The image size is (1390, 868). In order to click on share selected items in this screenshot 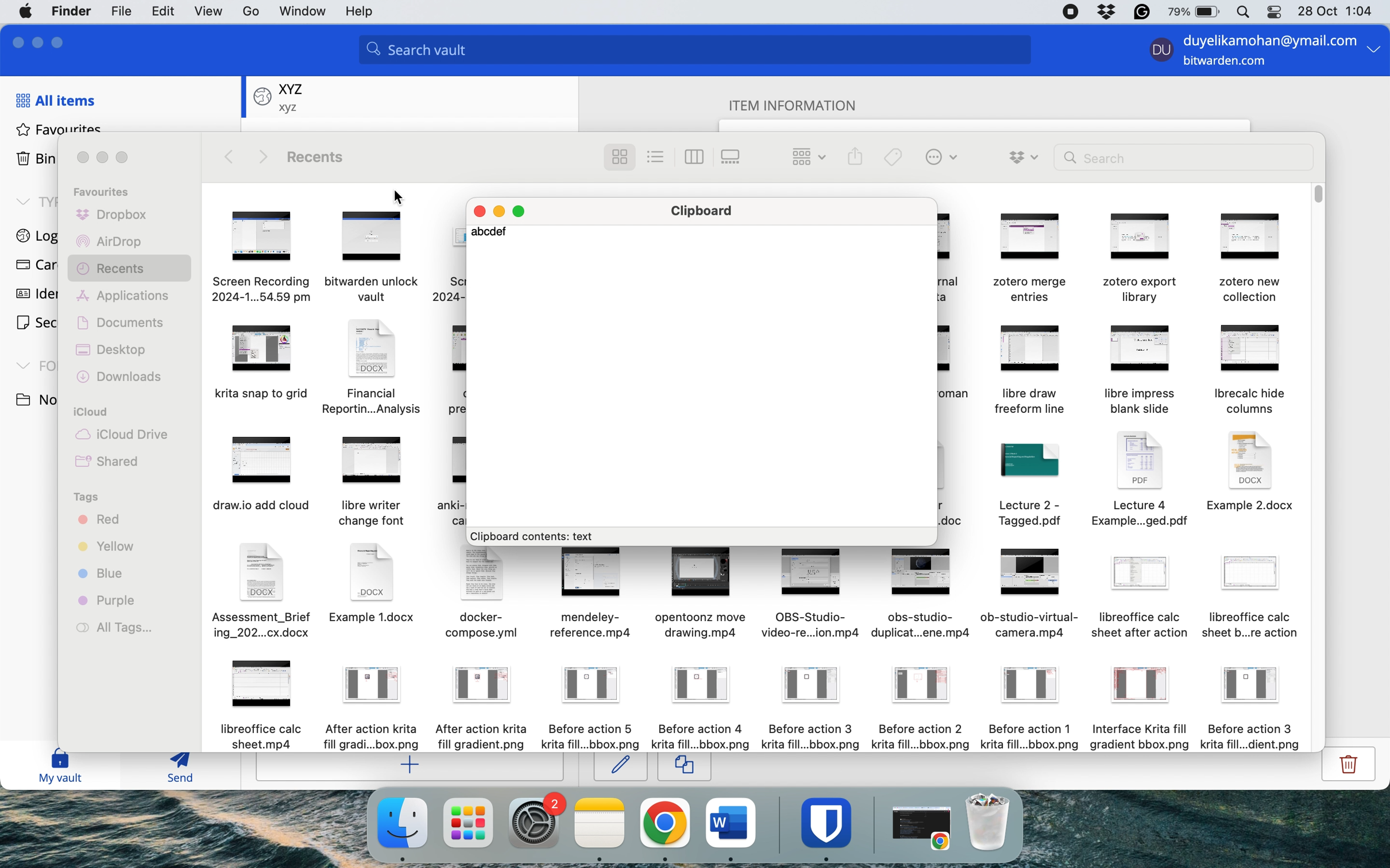, I will do `click(855, 156)`.